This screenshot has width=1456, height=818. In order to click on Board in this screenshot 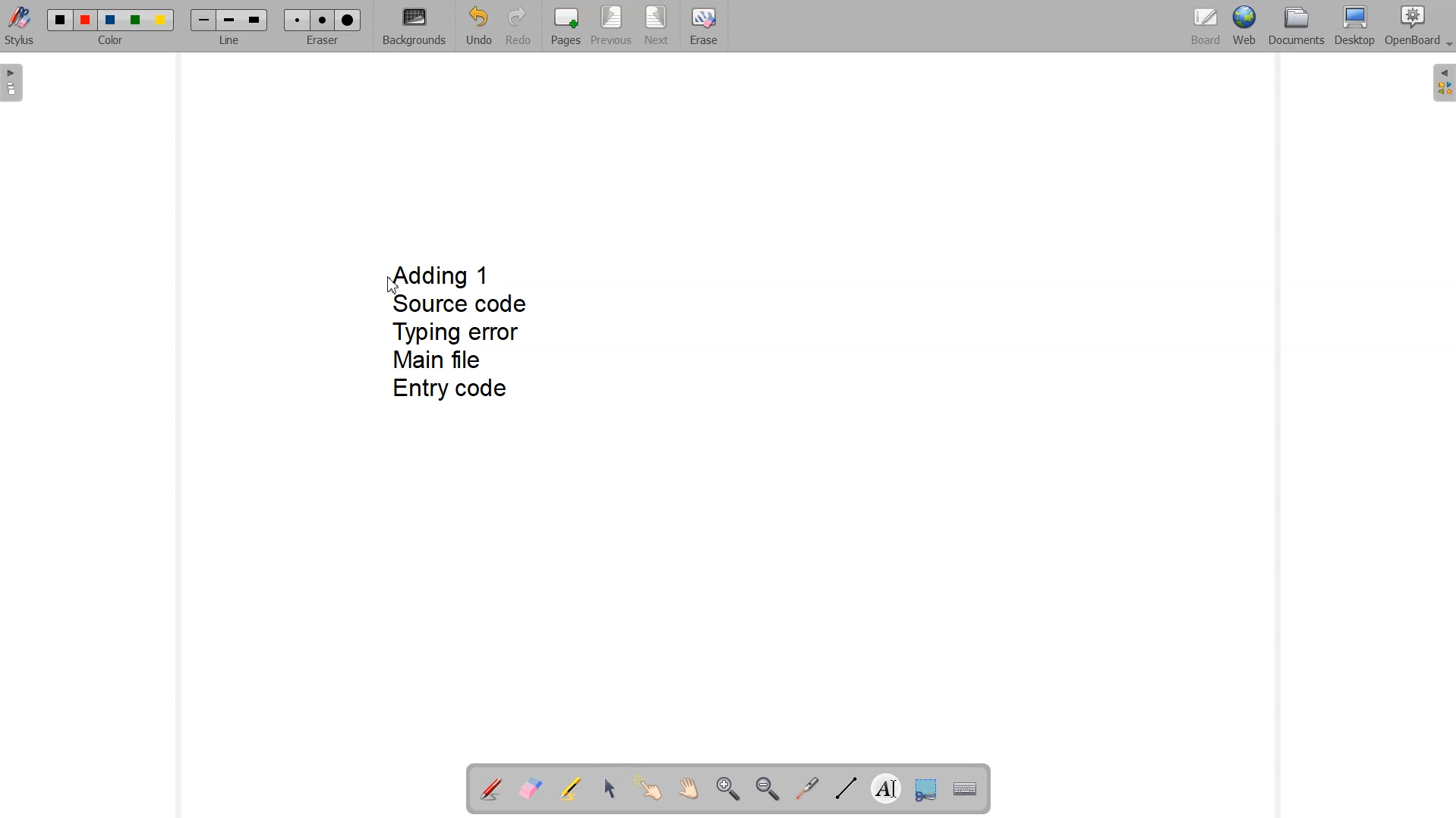, I will do `click(1206, 27)`.